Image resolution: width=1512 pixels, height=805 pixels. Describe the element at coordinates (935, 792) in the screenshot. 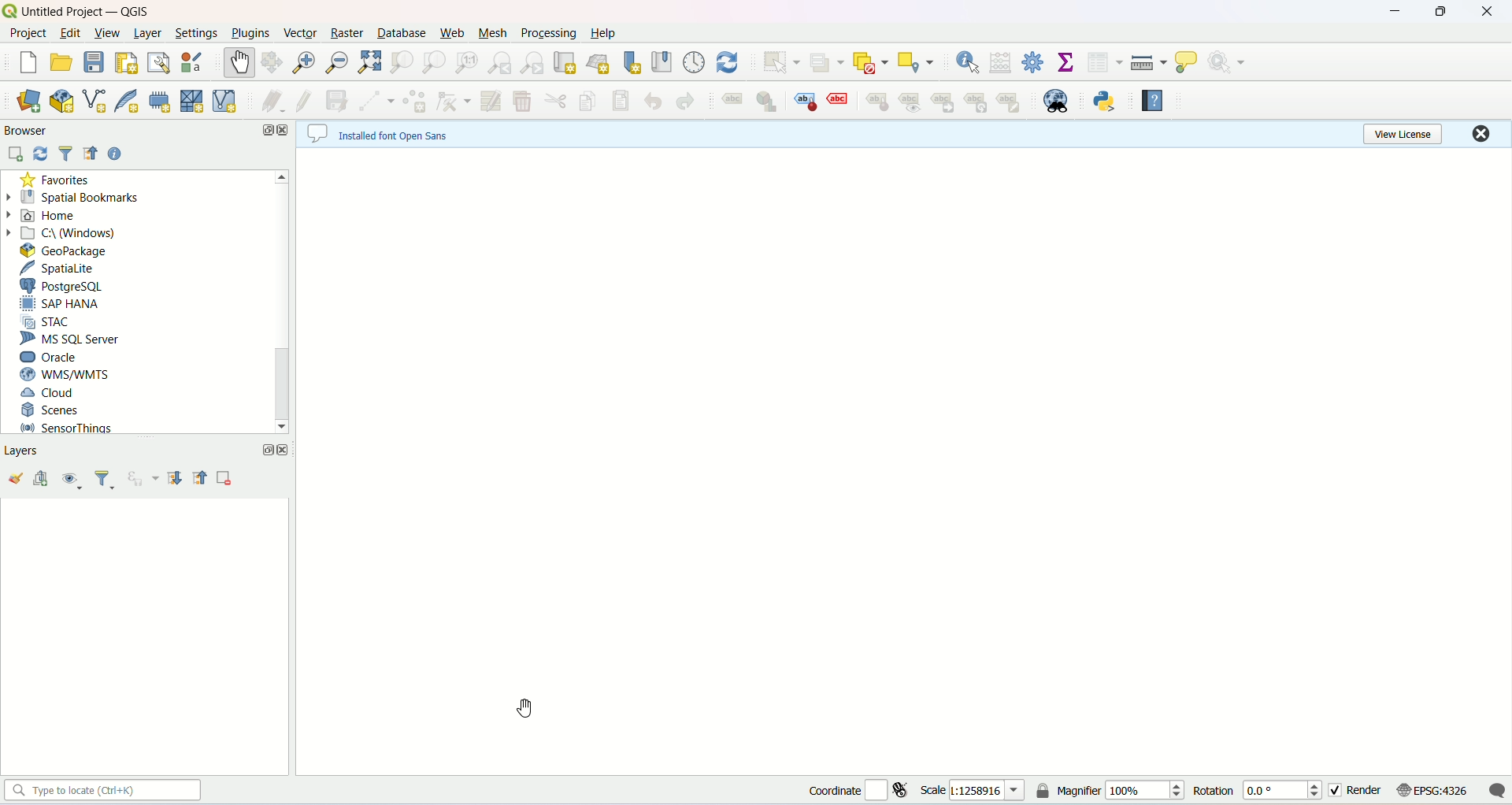

I see `scale` at that location.